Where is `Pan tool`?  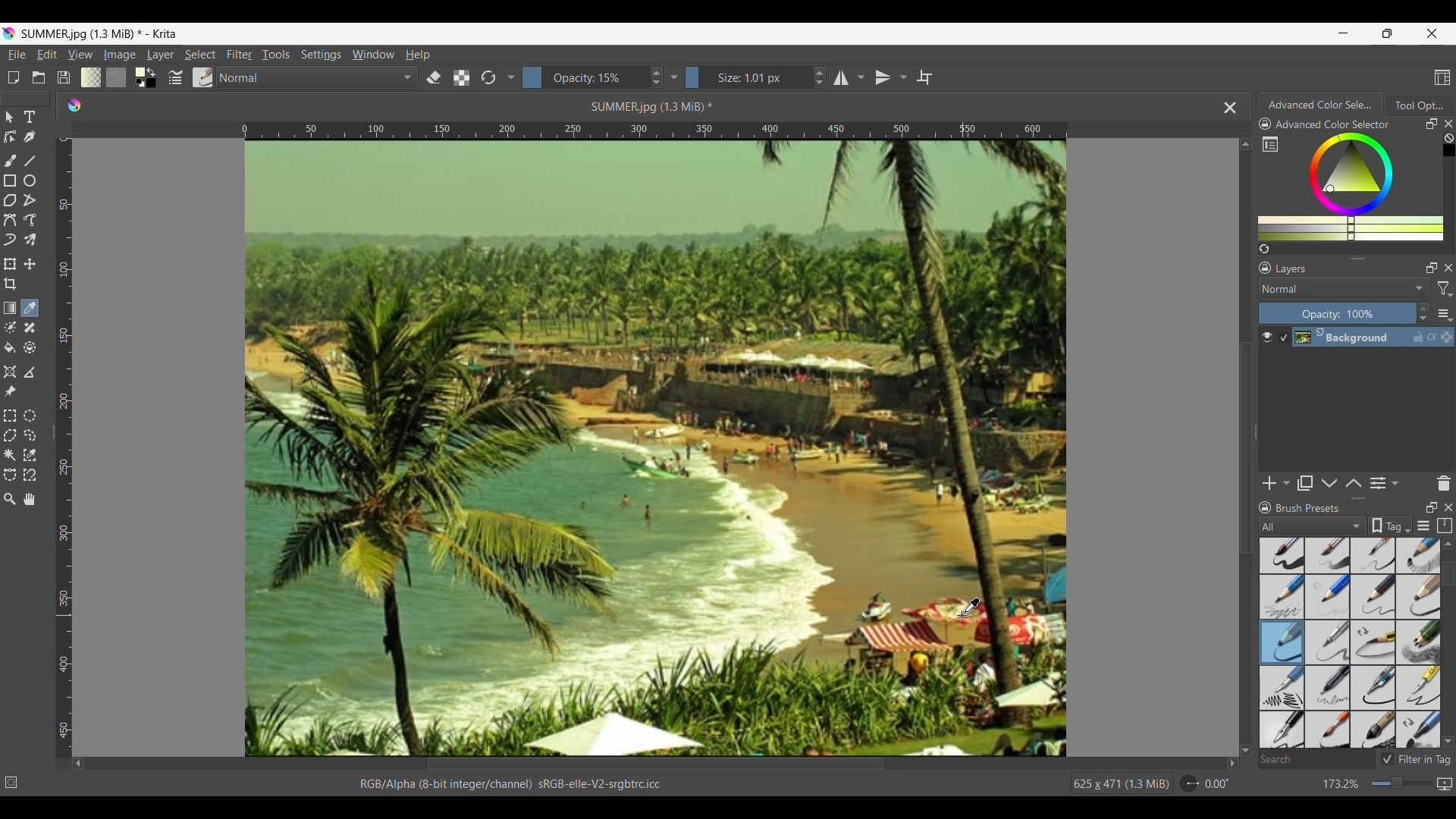
Pan tool is located at coordinates (29, 499).